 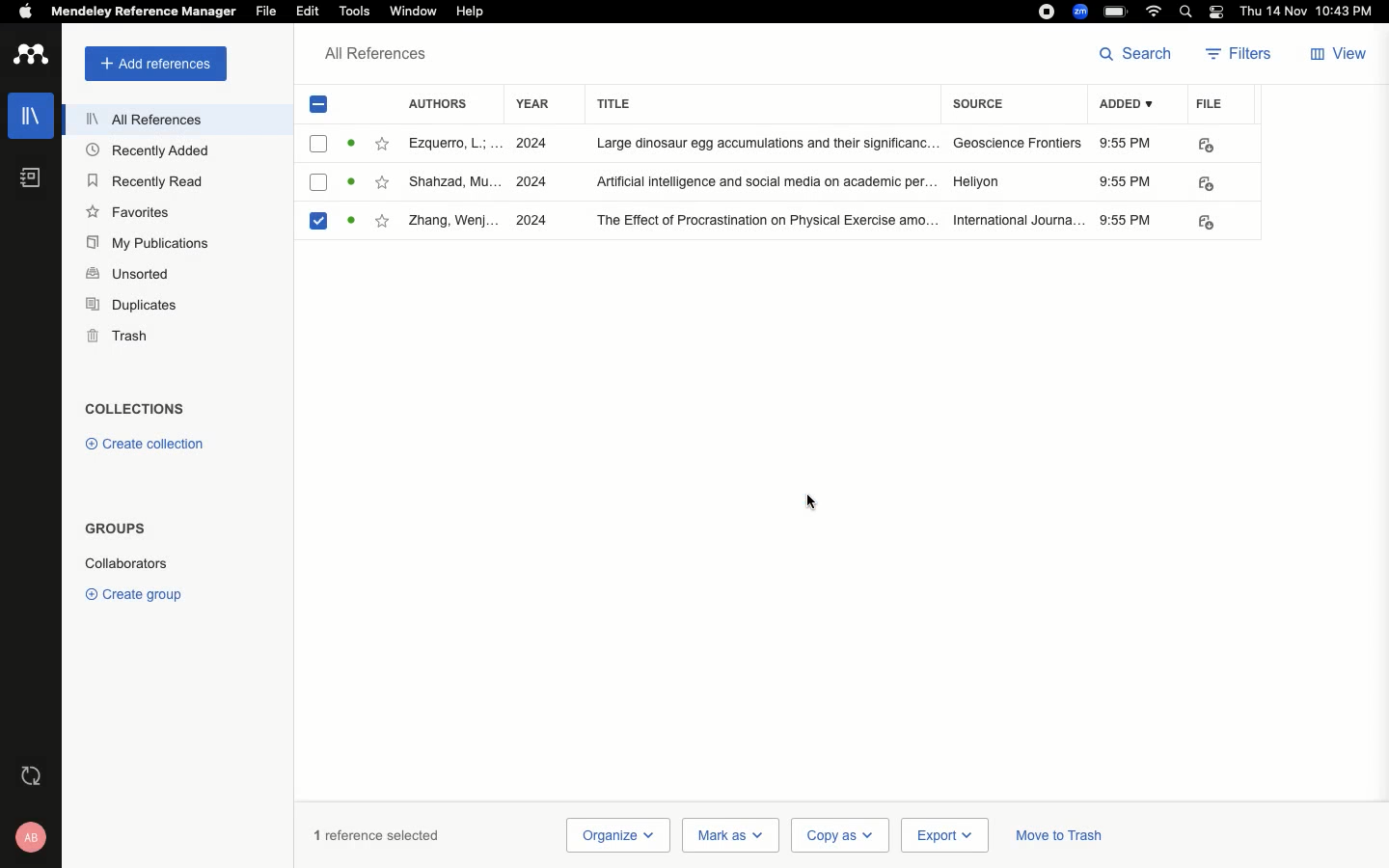 What do you see at coordinates (978, 179) in the screenshot?
I see `Hellyon` at bounding box center [978, 179].